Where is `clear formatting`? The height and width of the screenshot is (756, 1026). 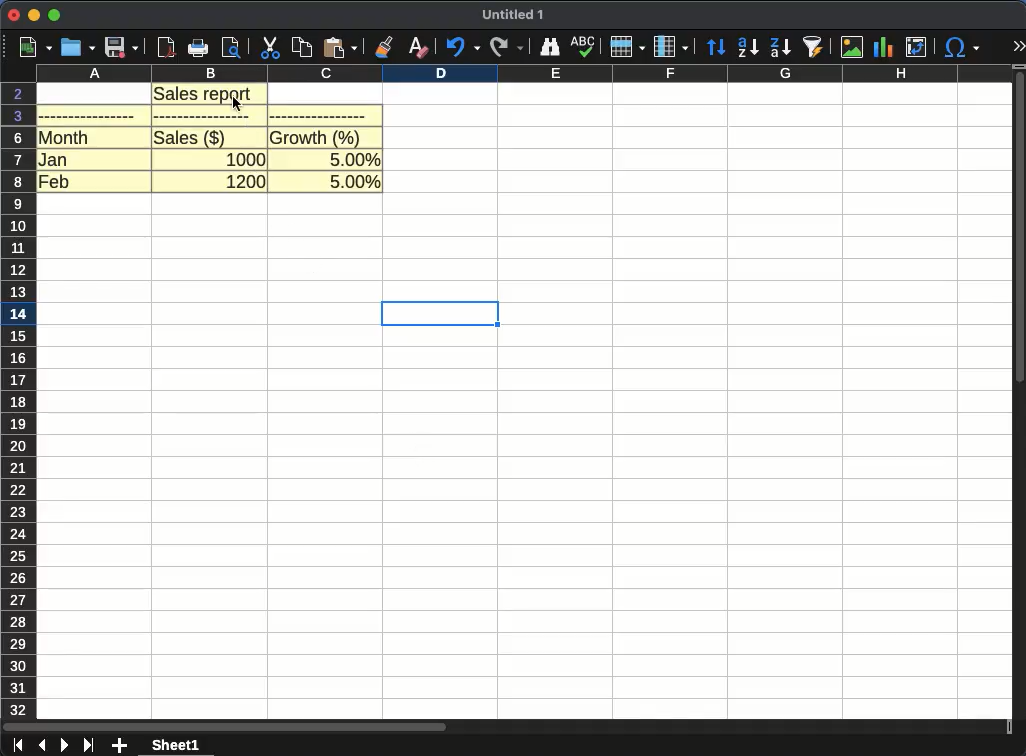
clear formatting is located at coordinates (419, 47).